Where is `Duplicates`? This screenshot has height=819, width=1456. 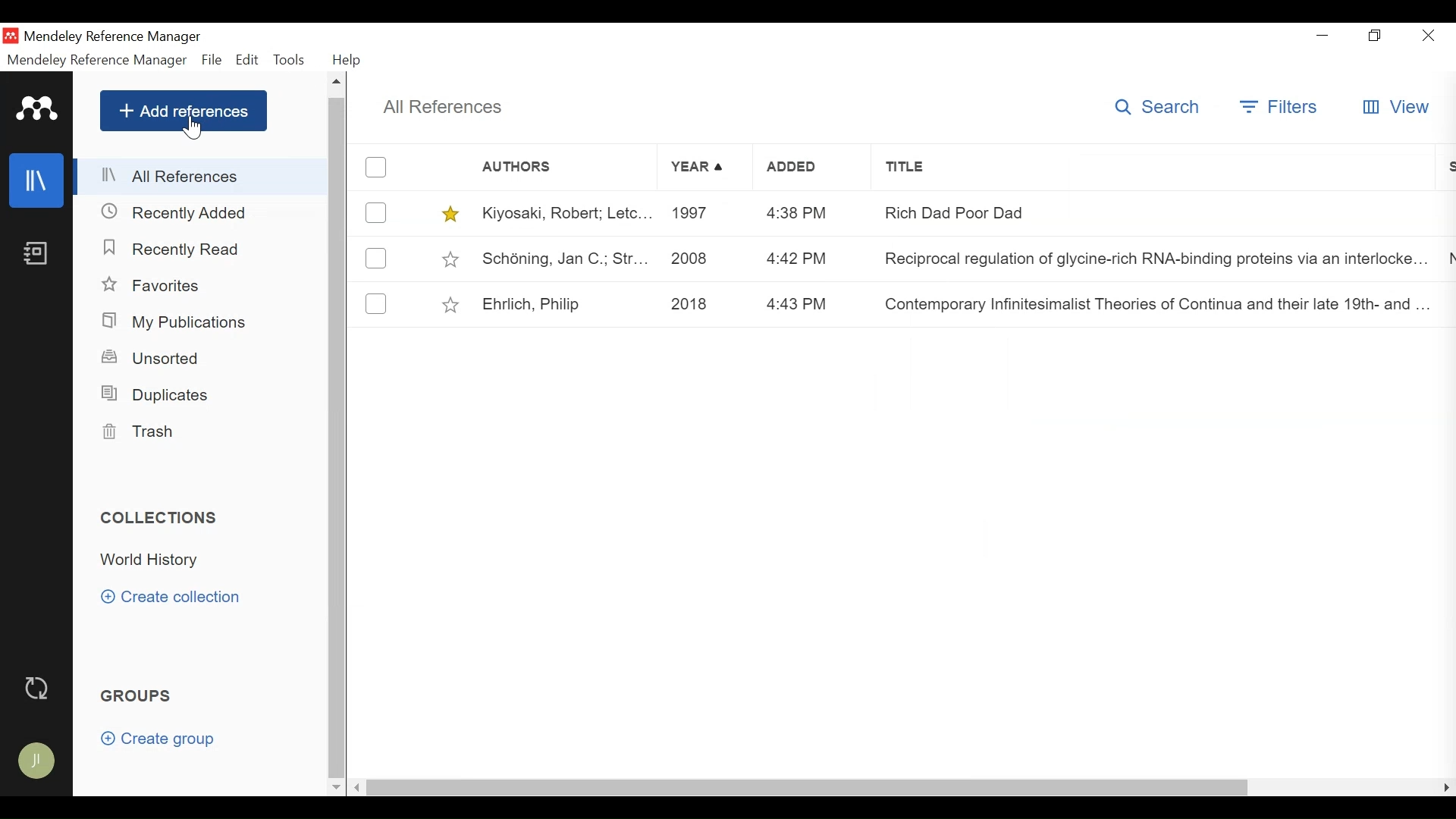
Duplicates is located at coordinates (158, 395).